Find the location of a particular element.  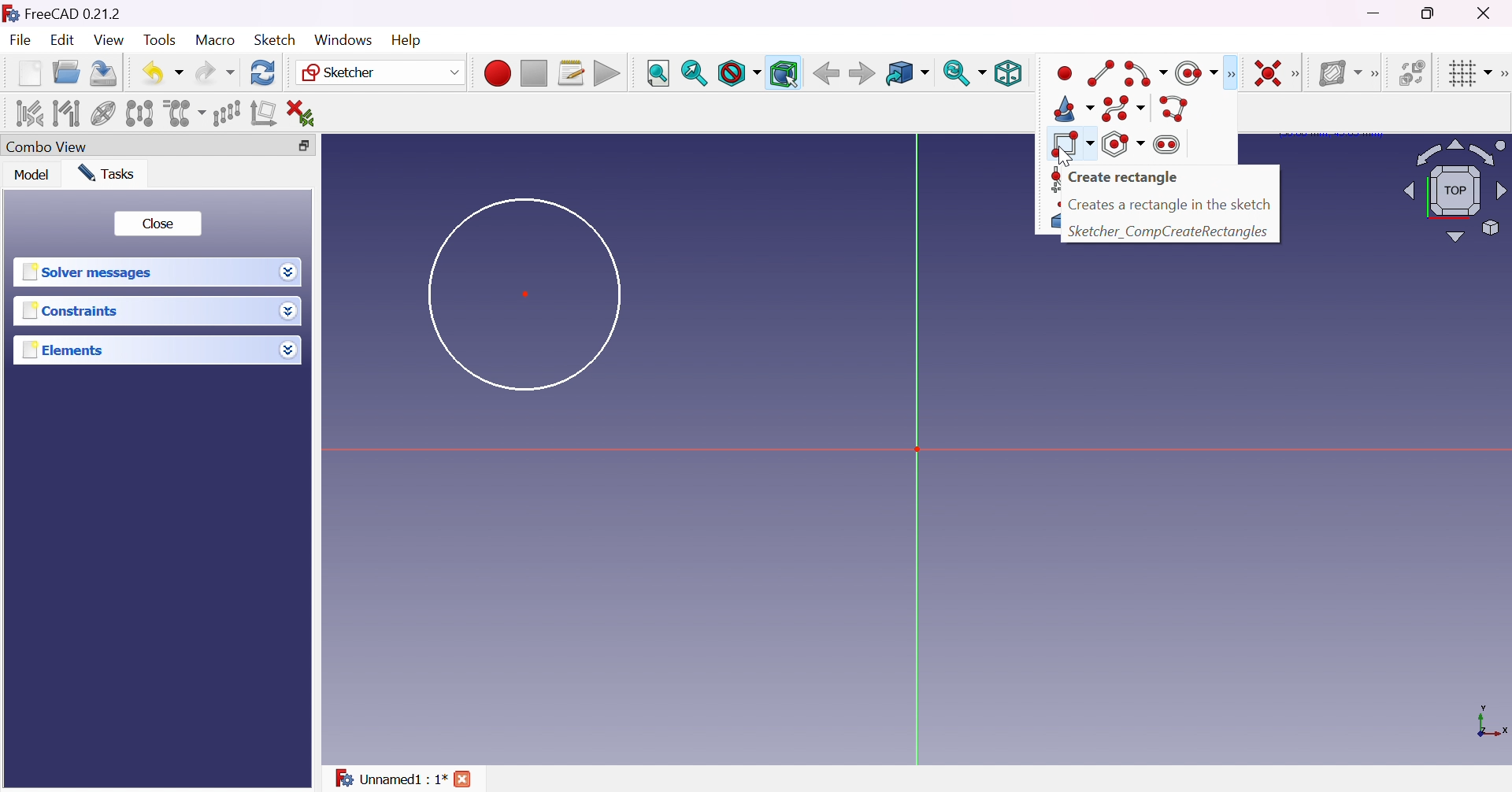

Sketcher is located at coordinates (378, 72).